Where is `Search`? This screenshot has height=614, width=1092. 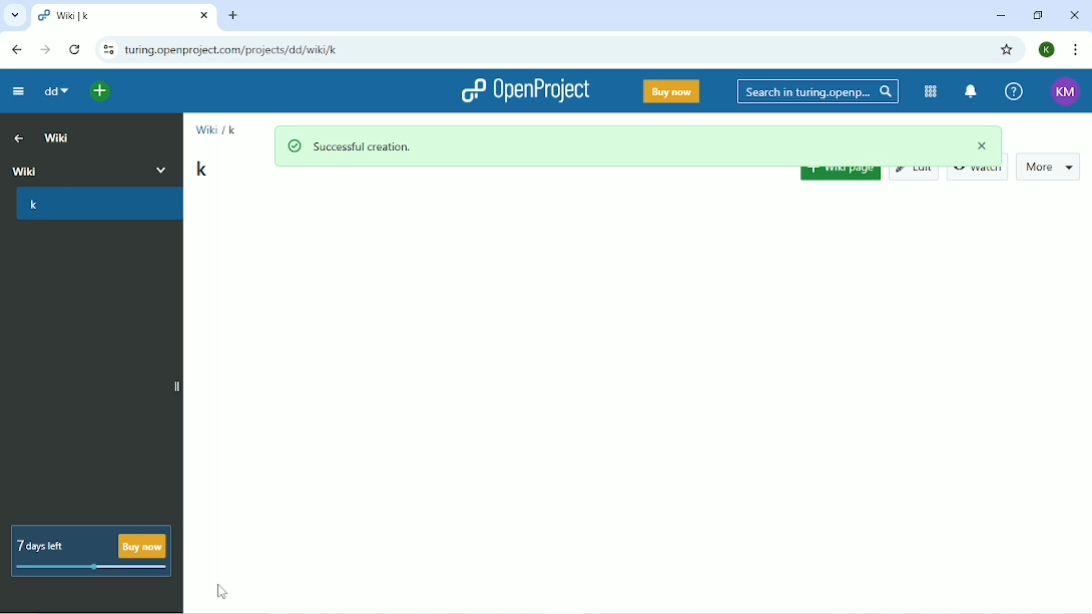
Search is located at coordinates (819, 91).